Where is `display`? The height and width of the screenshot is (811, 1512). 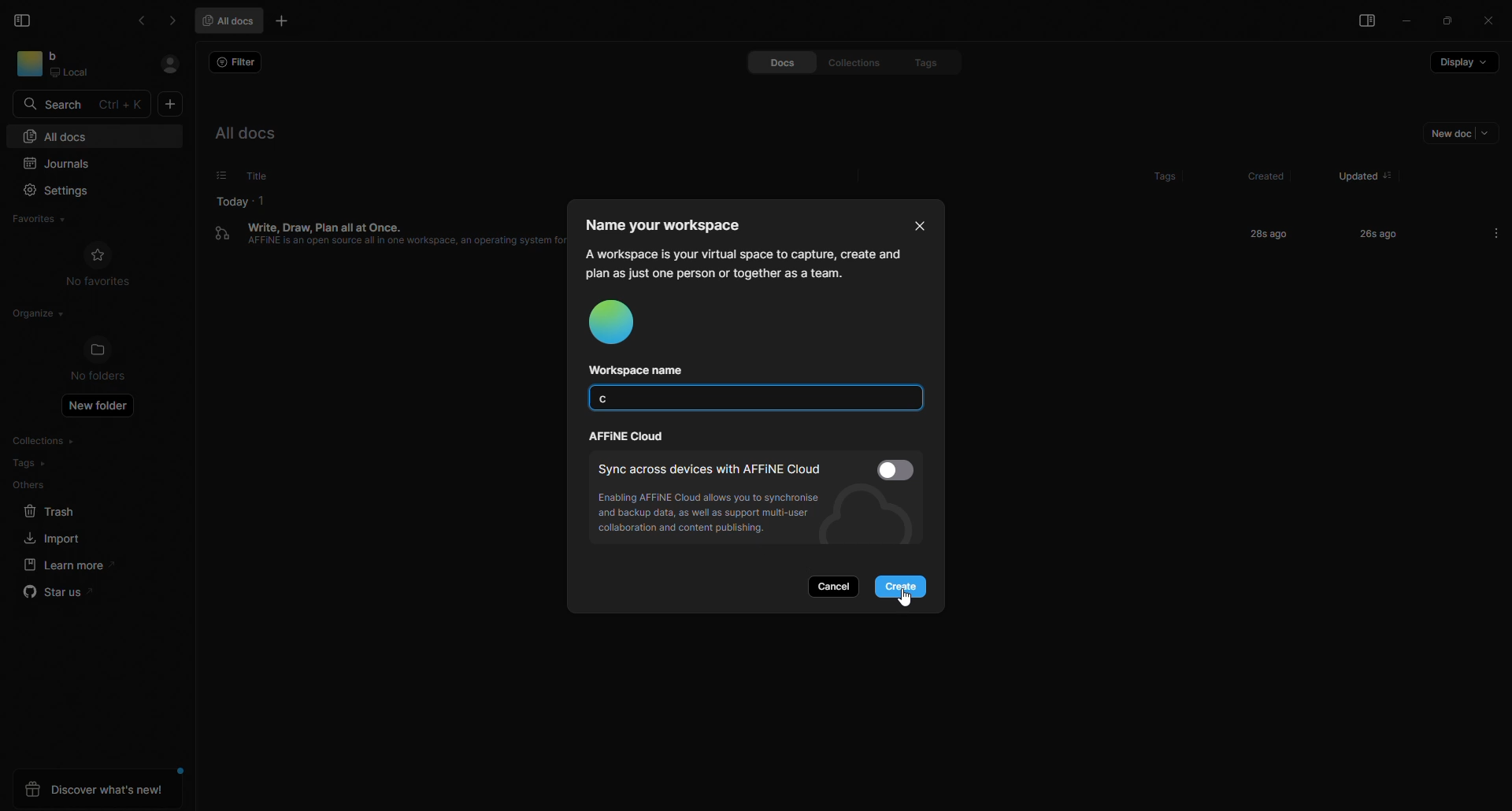 display is located at coordinates (1462, 67).